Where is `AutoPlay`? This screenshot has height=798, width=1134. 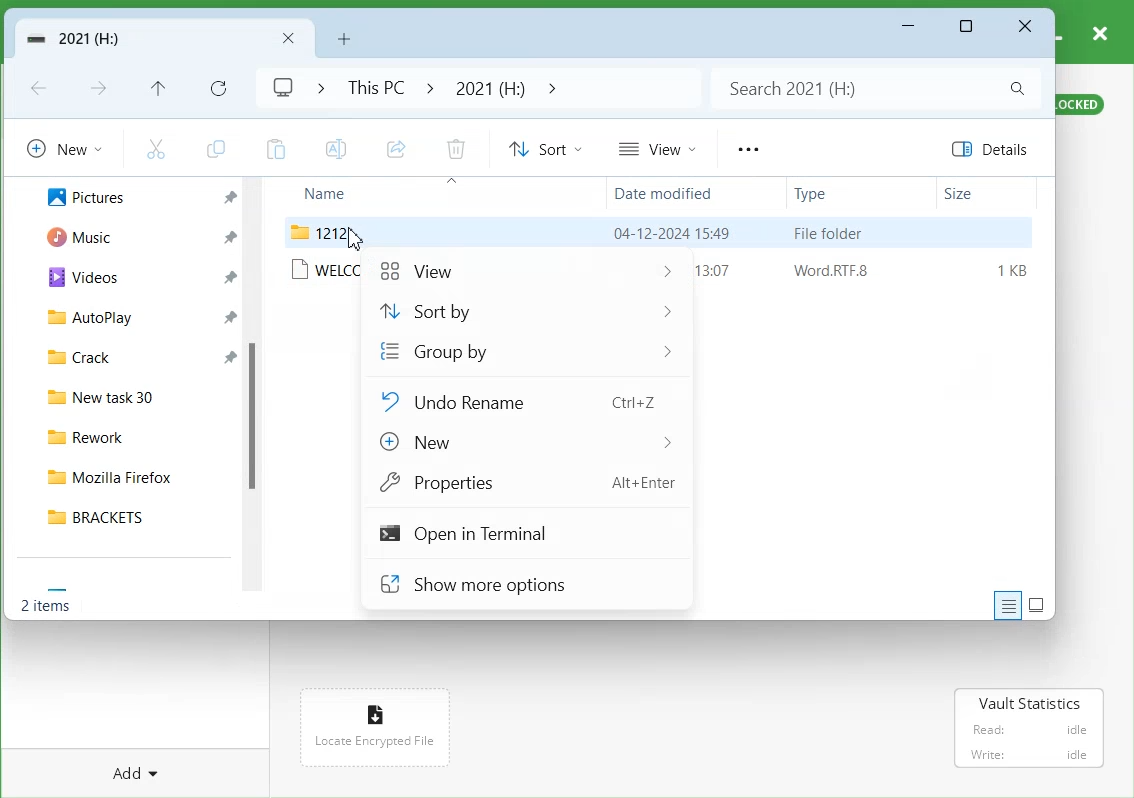
AutoPlay is located at coordinates (83, 320).